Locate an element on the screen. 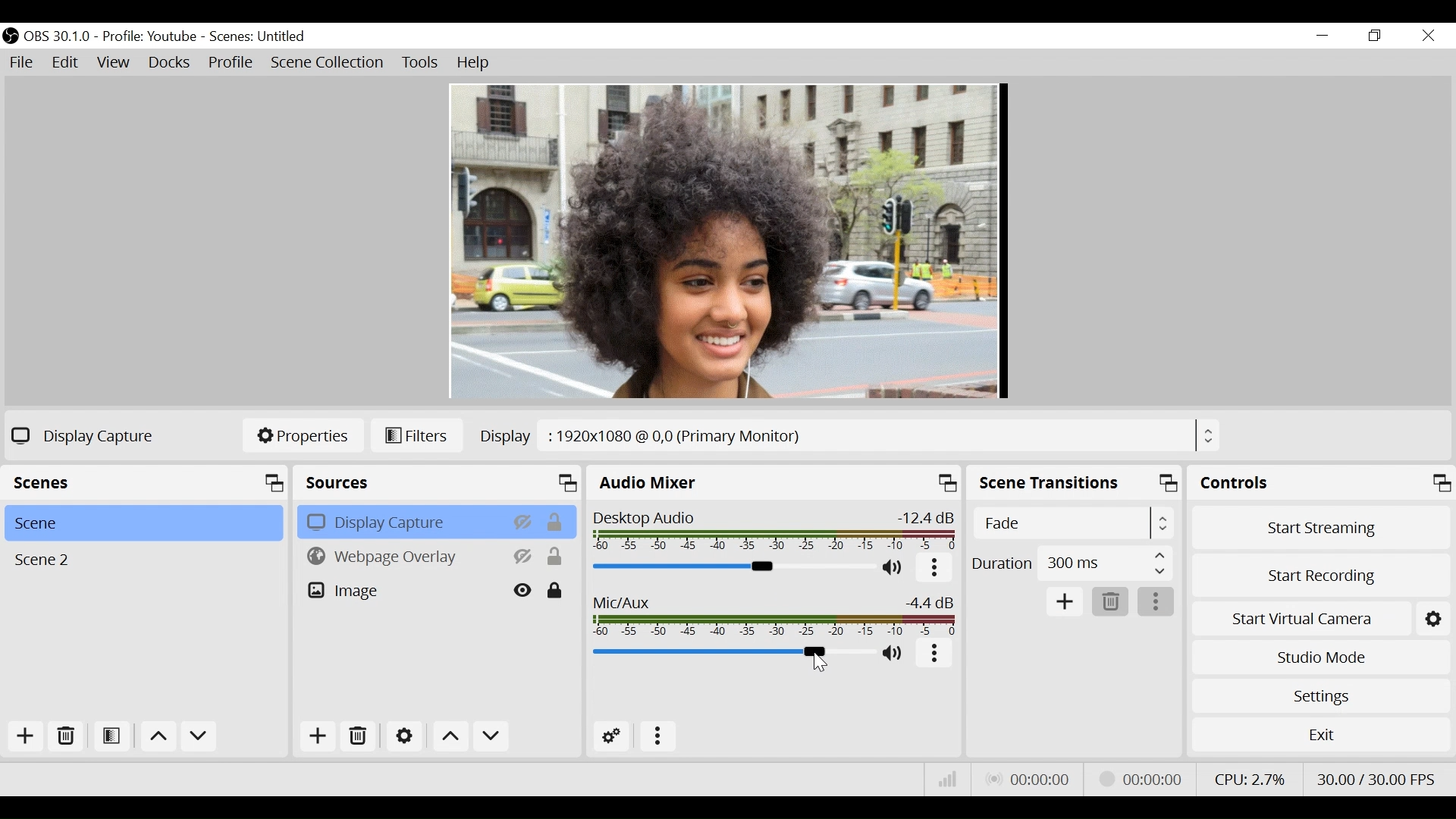  Open Filter Scene is located at coordinates (113, 736).